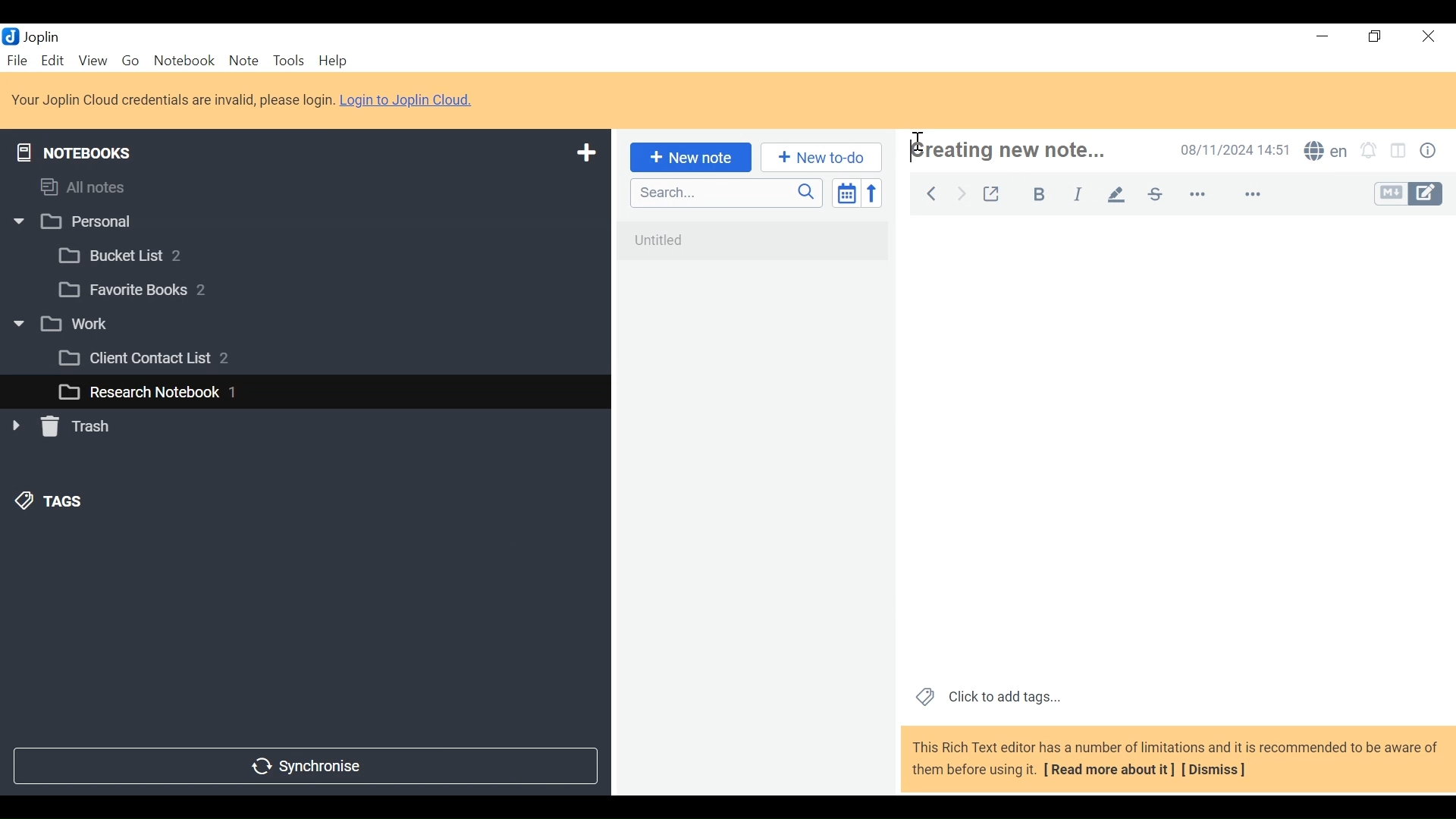  Describe the element at coordinates (145, 290) in the screenshot. I see `[3 Favorite Books 2` at that location.